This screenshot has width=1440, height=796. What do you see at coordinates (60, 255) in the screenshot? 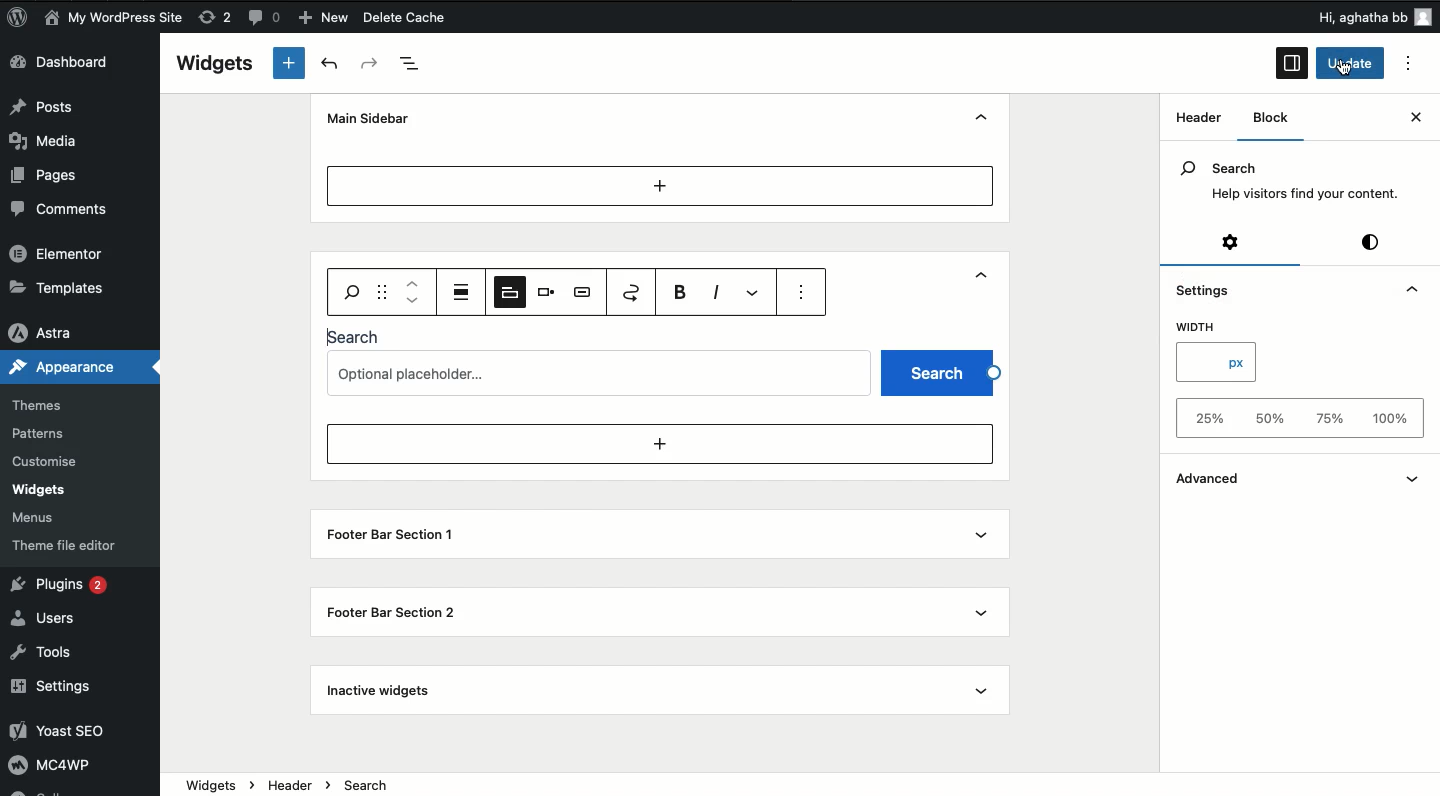
I see `Elementor` at bounding box center [60, 255].